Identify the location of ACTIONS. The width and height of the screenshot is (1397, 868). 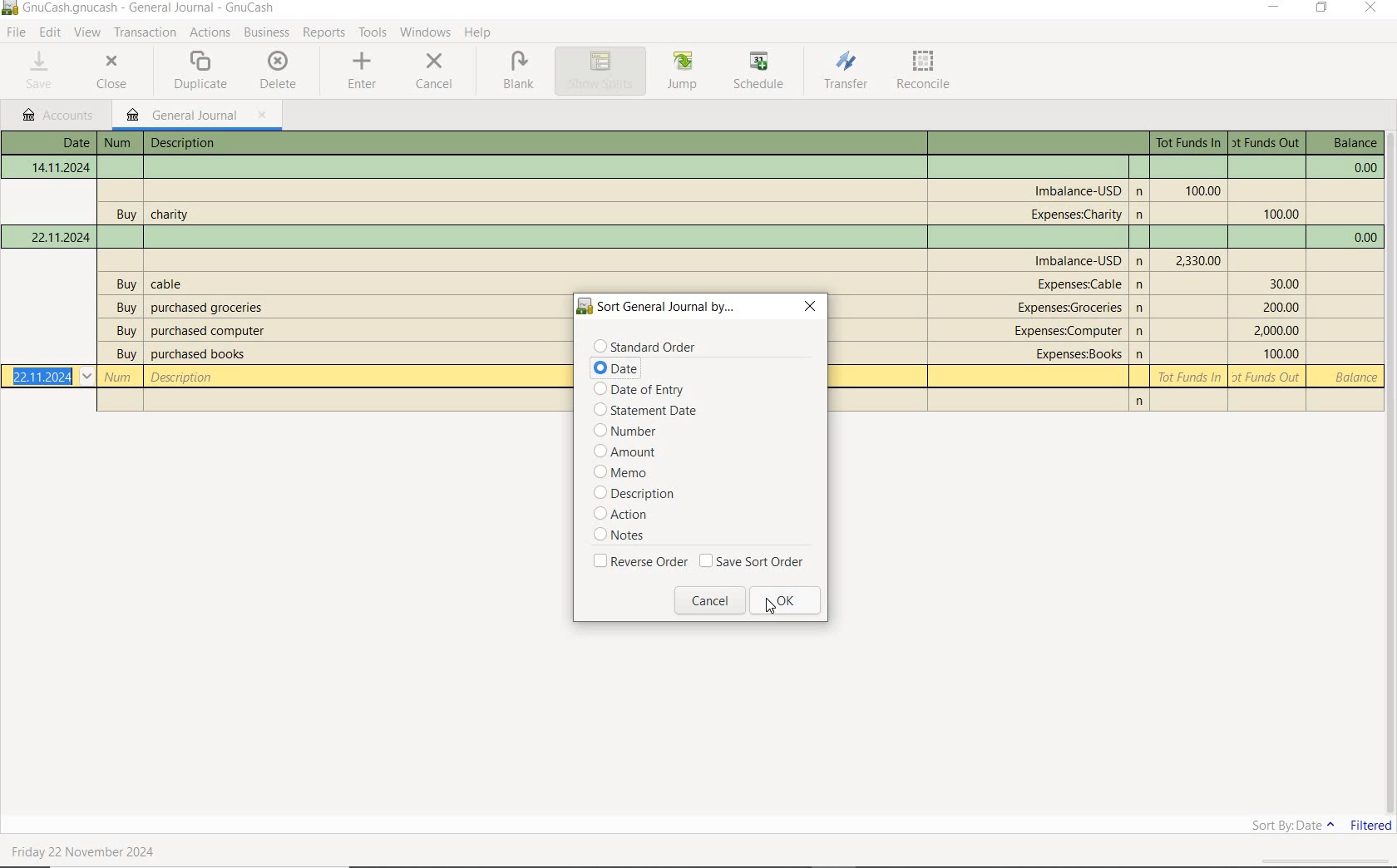
(210, 34).